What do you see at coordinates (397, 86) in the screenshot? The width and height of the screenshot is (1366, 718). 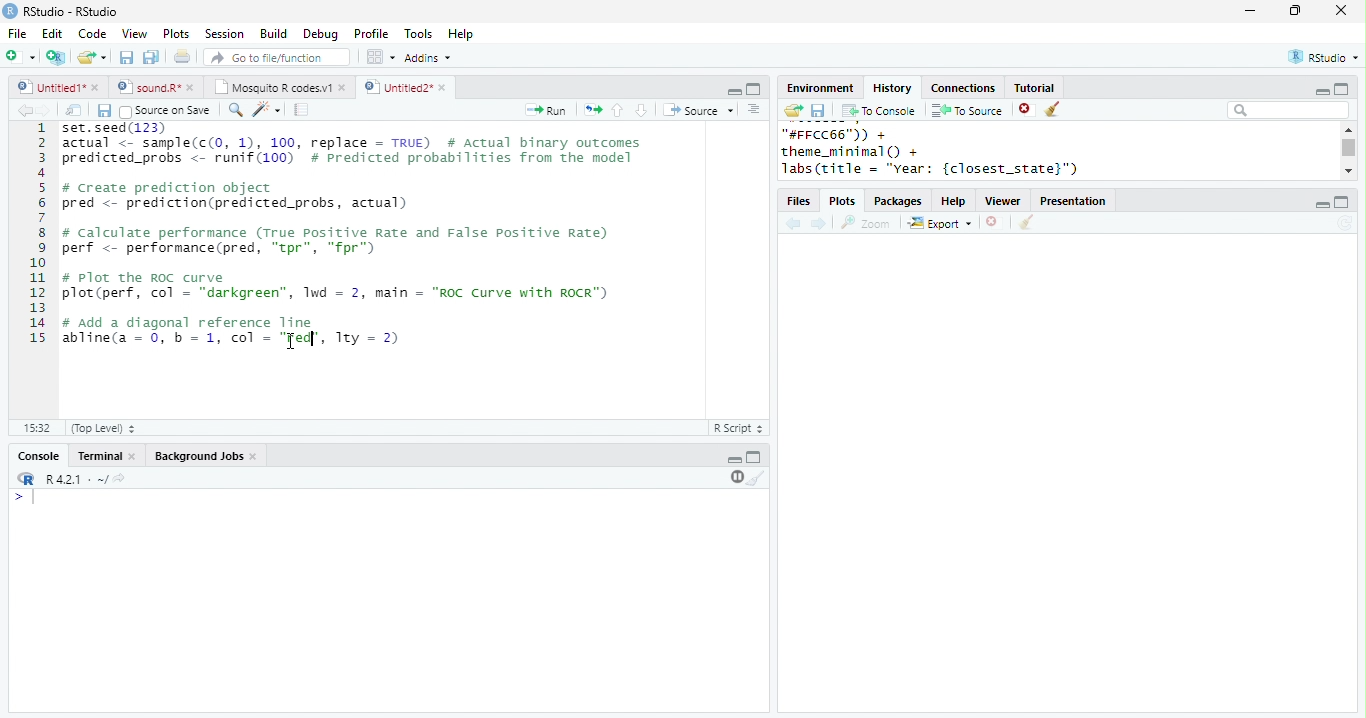 I see `Untitled 2` at bounding box center [397, 86].